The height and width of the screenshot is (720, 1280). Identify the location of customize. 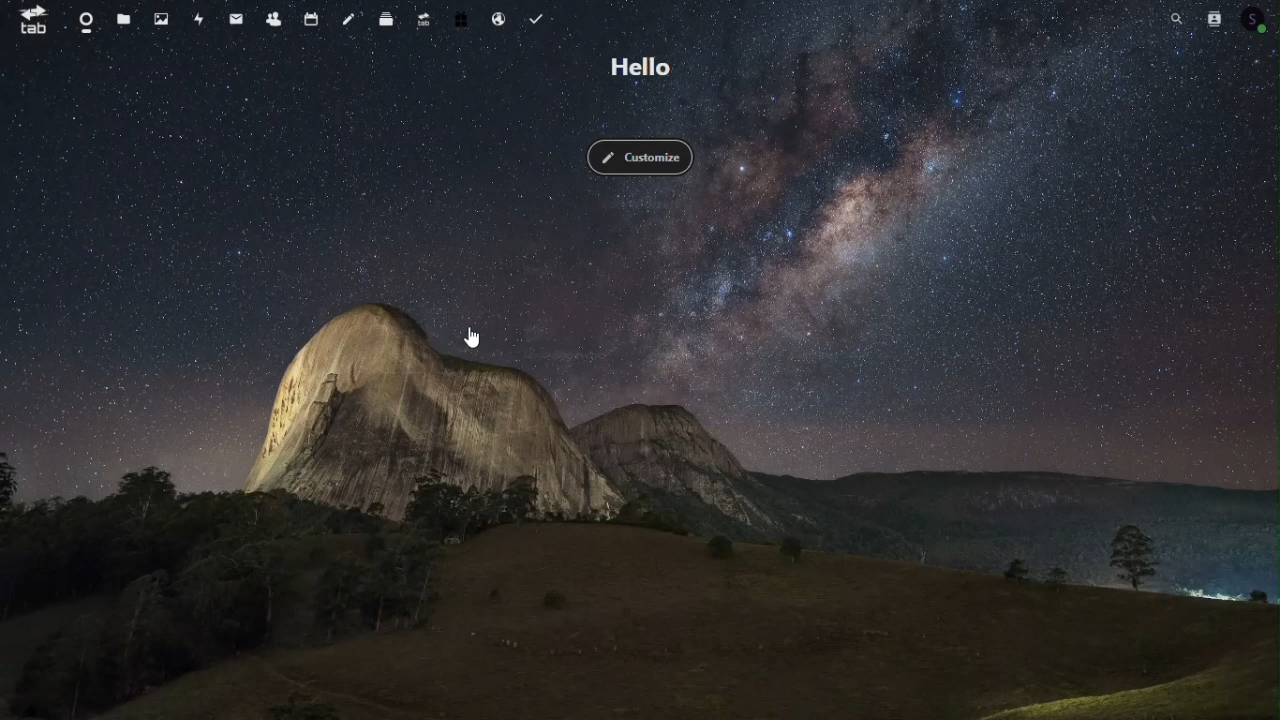
(648, 161).